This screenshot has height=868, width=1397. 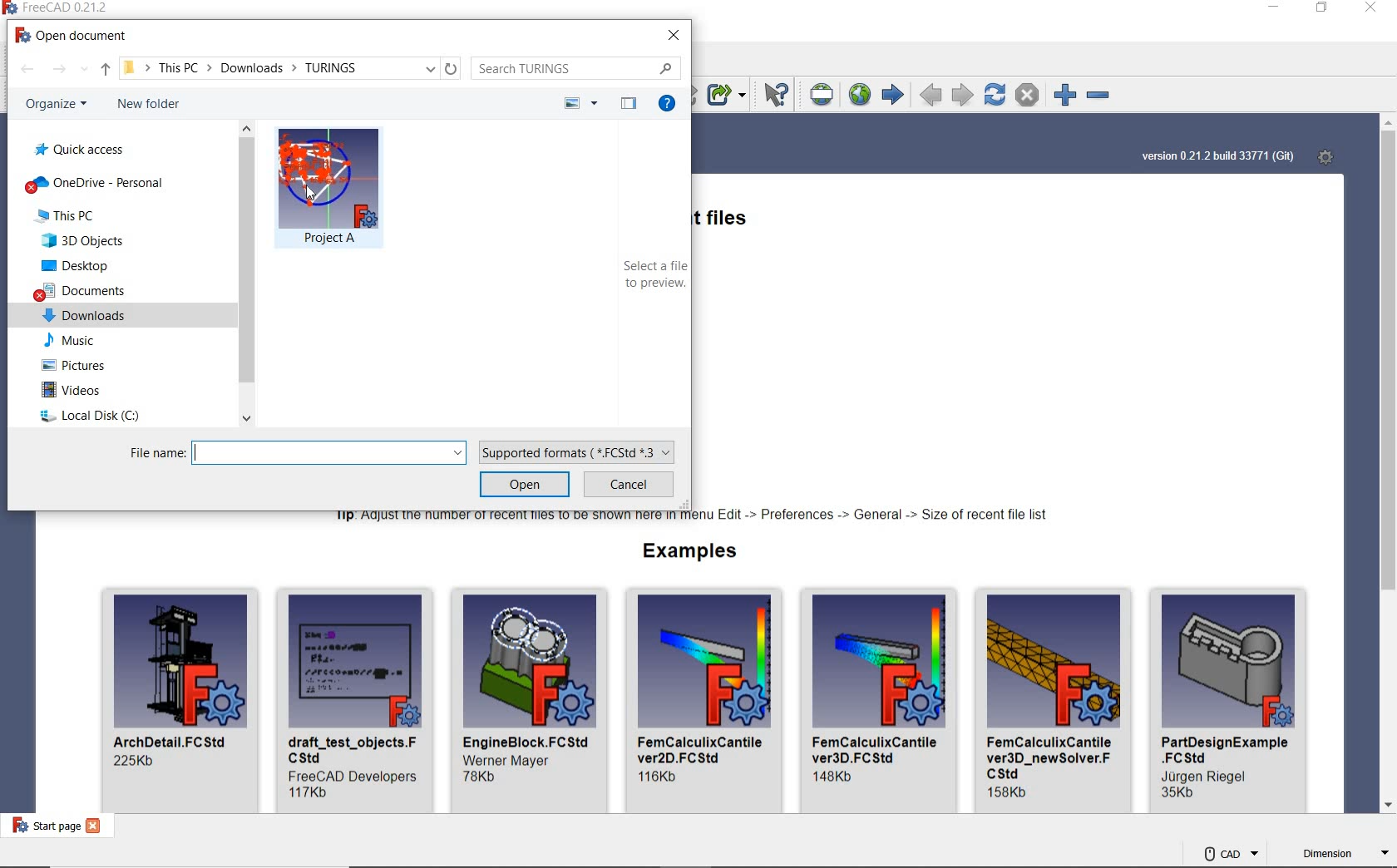 I want to click on SELECT A FILE TO PREVIEW, so click(x=652, y=274).